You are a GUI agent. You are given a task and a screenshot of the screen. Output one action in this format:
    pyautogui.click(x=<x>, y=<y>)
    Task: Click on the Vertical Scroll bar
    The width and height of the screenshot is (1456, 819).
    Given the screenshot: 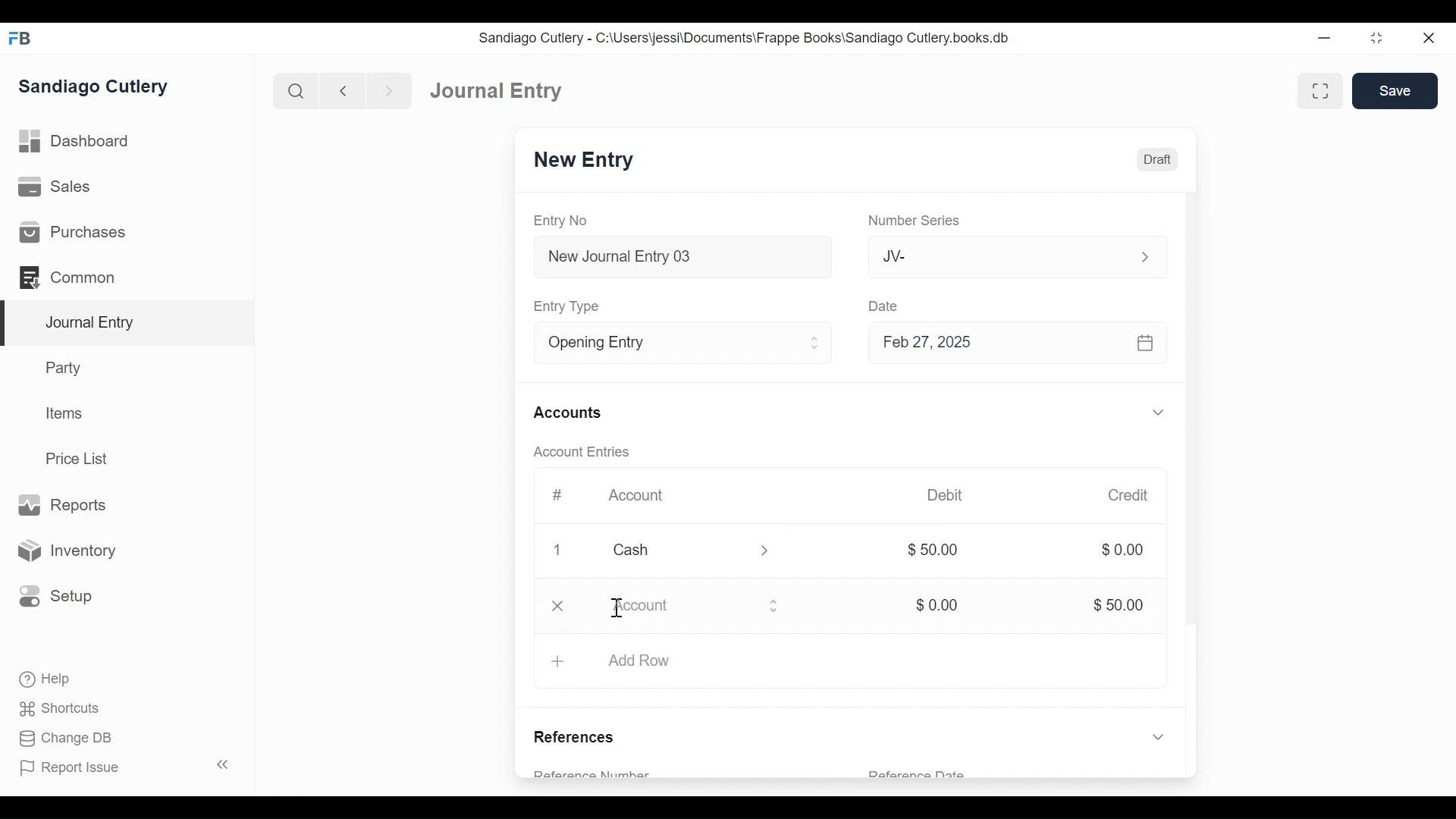 What is the action you would take?
    pyautogui.click(x=1193, y=439)
    